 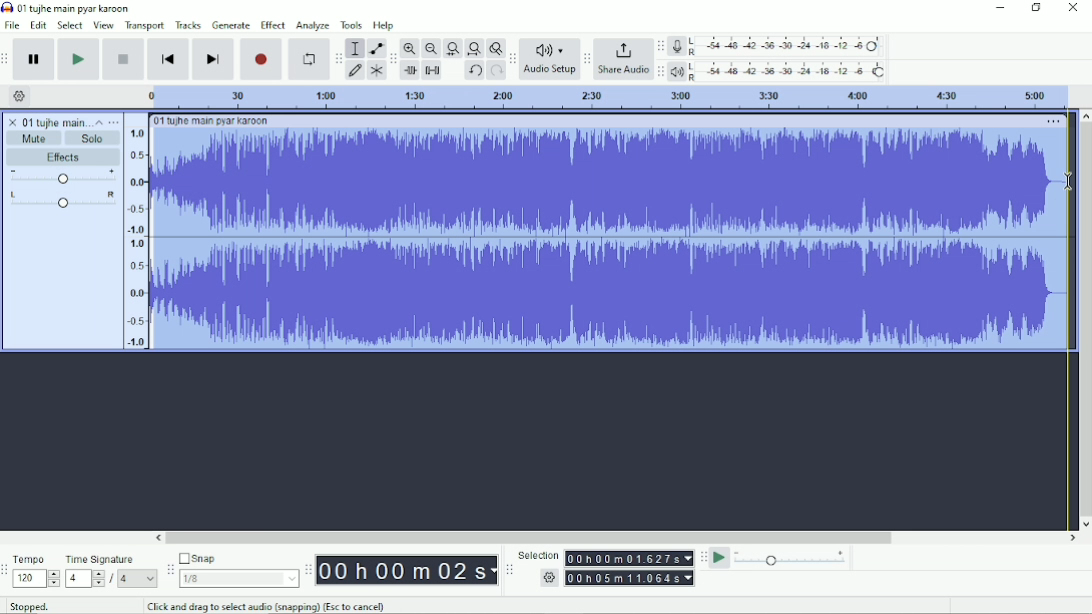 I want to click on Draw tool, so click(x=355, y=72).